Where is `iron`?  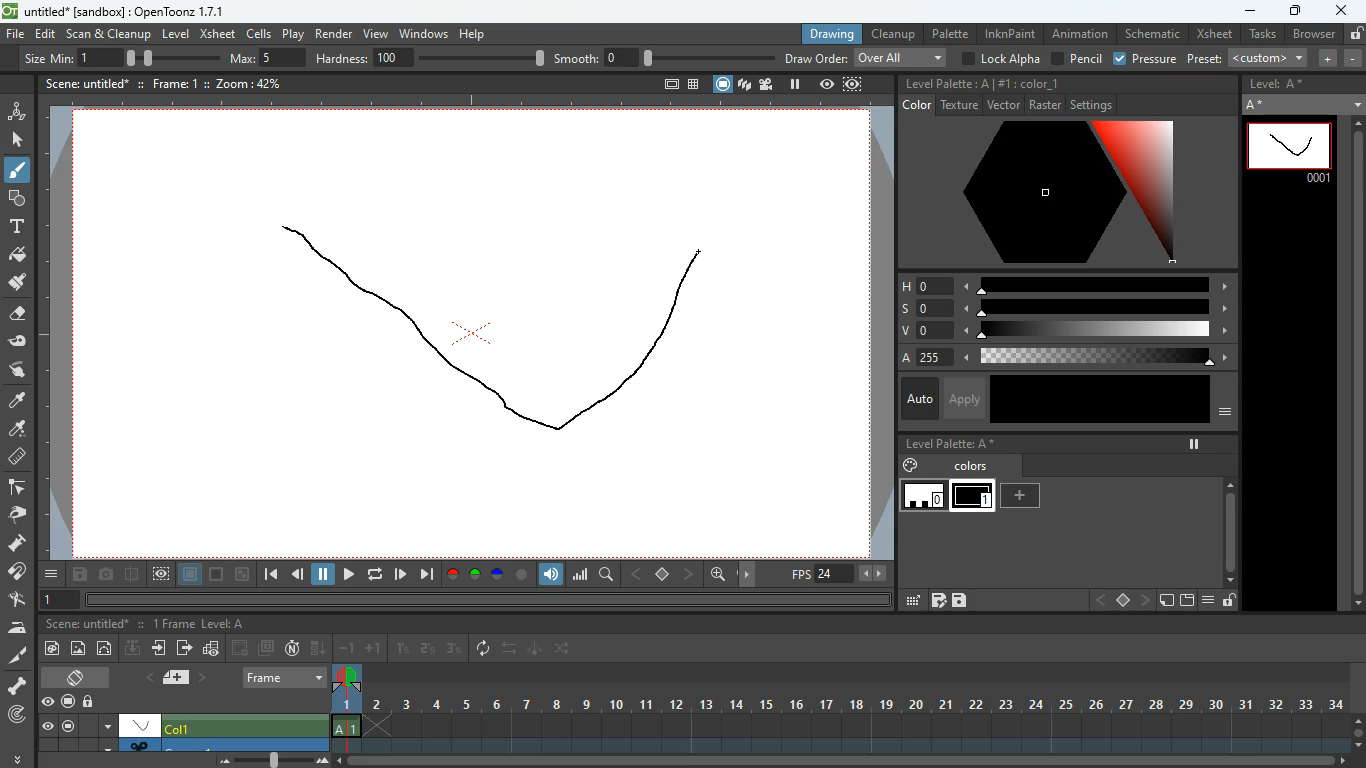
iron is located at coordinates (17, 627).